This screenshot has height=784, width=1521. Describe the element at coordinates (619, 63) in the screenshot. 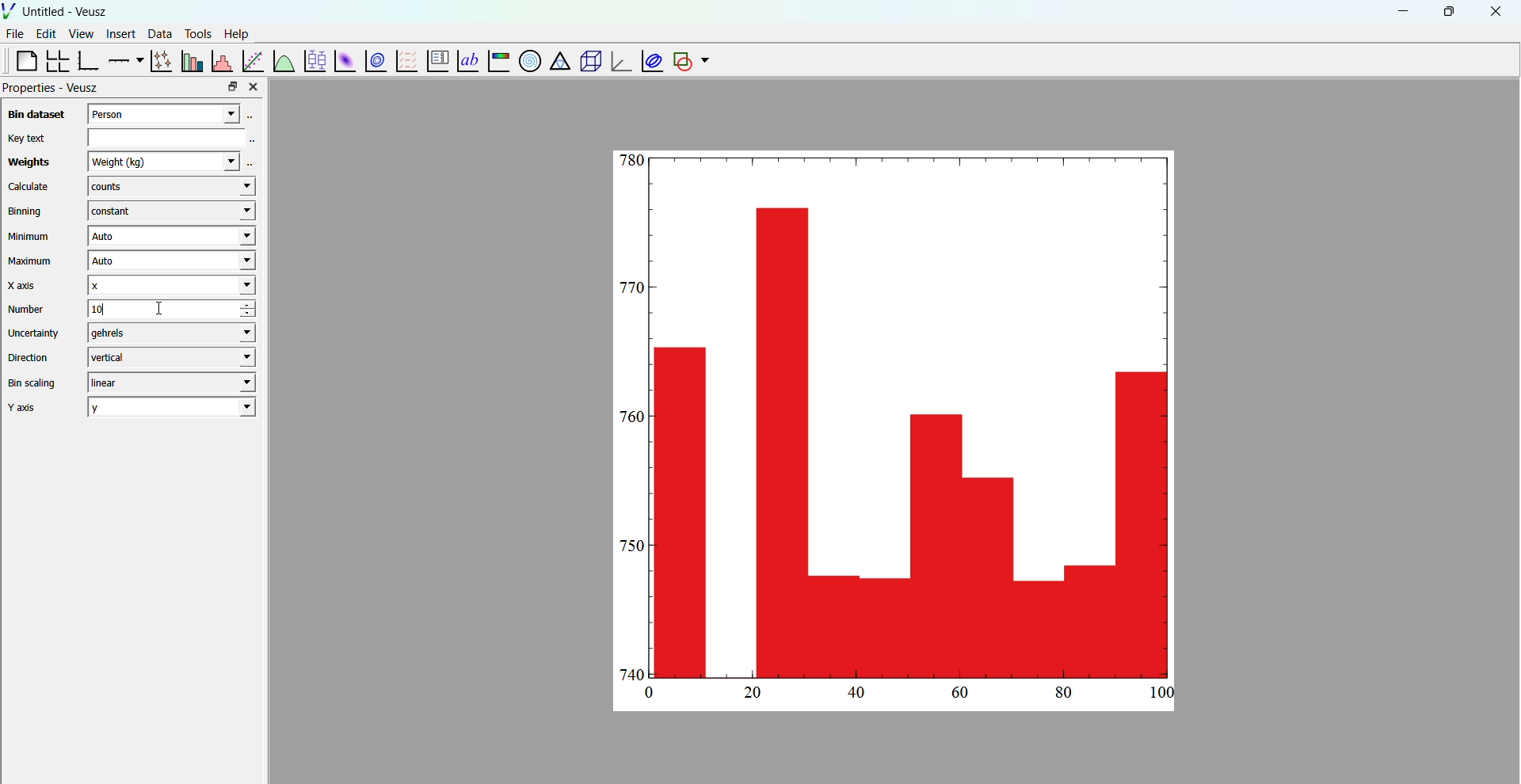

I see `3d graph` at that location.